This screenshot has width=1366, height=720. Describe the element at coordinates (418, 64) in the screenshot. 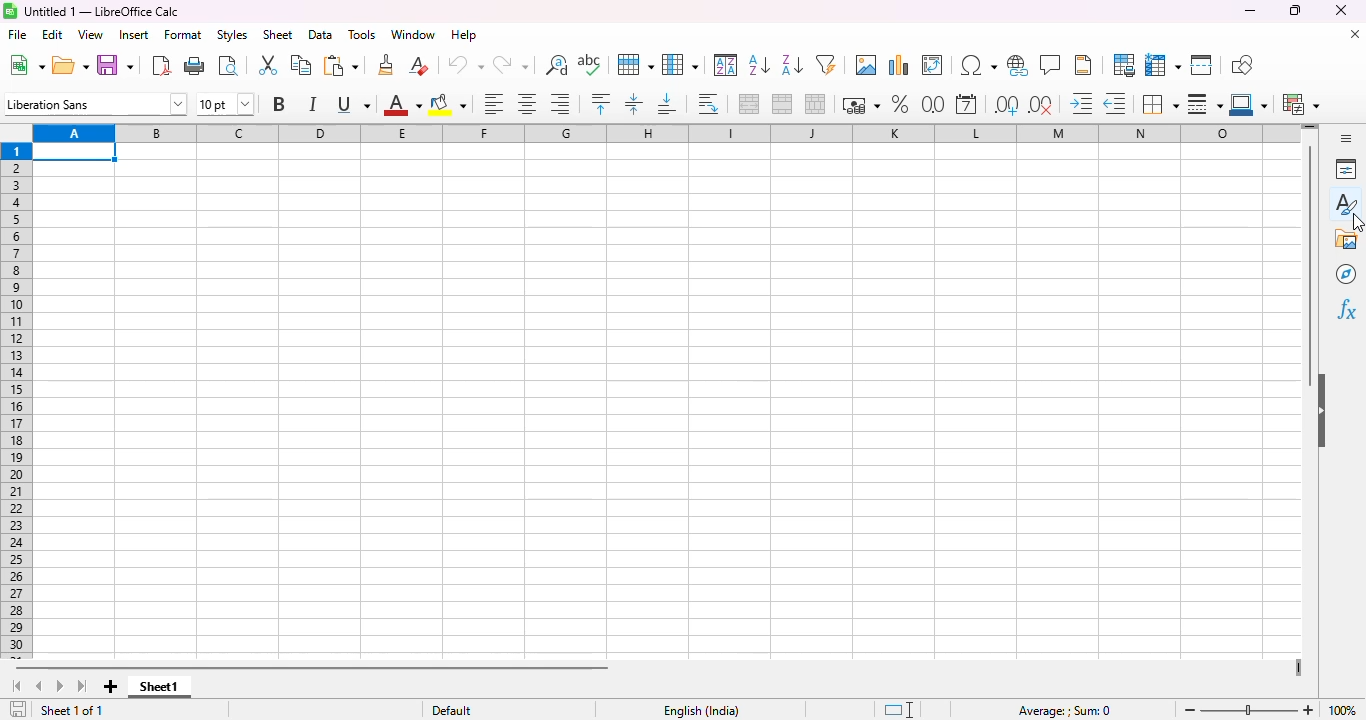

I see `clear direct formatting` at that location.